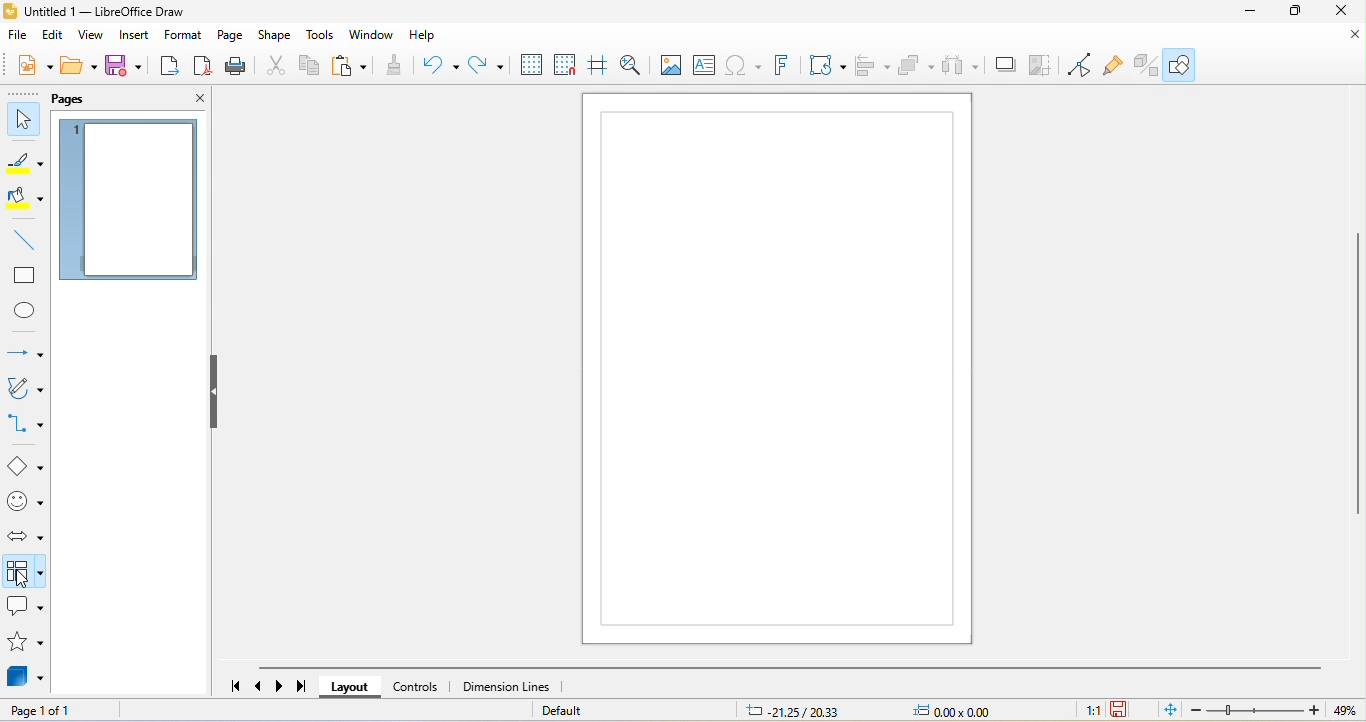 This screenshot has width=1366, height=722. Describe the element at coordinates (745, 68) in the screenshot. I see `special character` at that location.